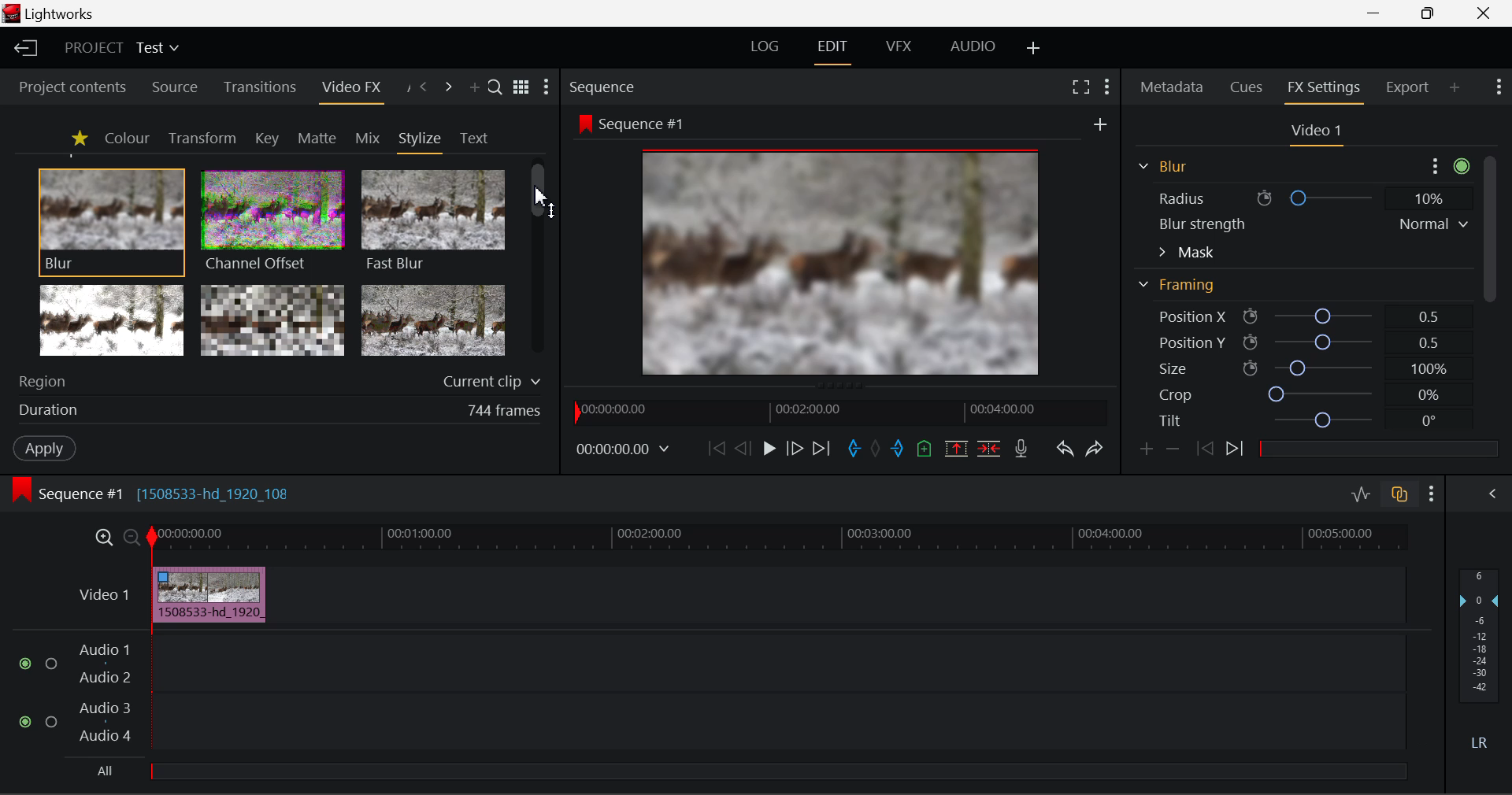 Image resolution: width=1512 pixels, height=795 pixels. I want to click on Frame Time, so click(624, 448).